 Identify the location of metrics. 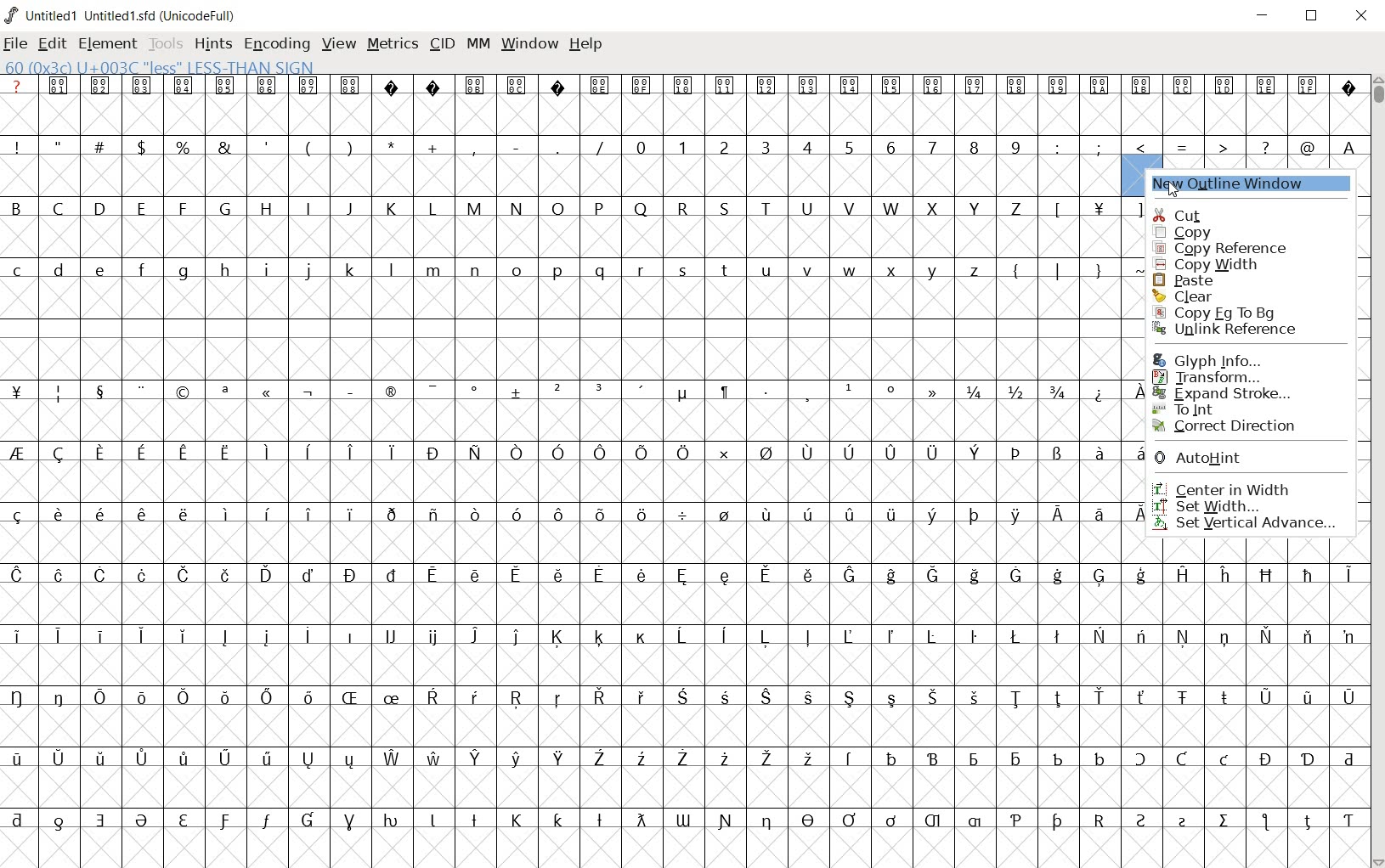
(393, 45).